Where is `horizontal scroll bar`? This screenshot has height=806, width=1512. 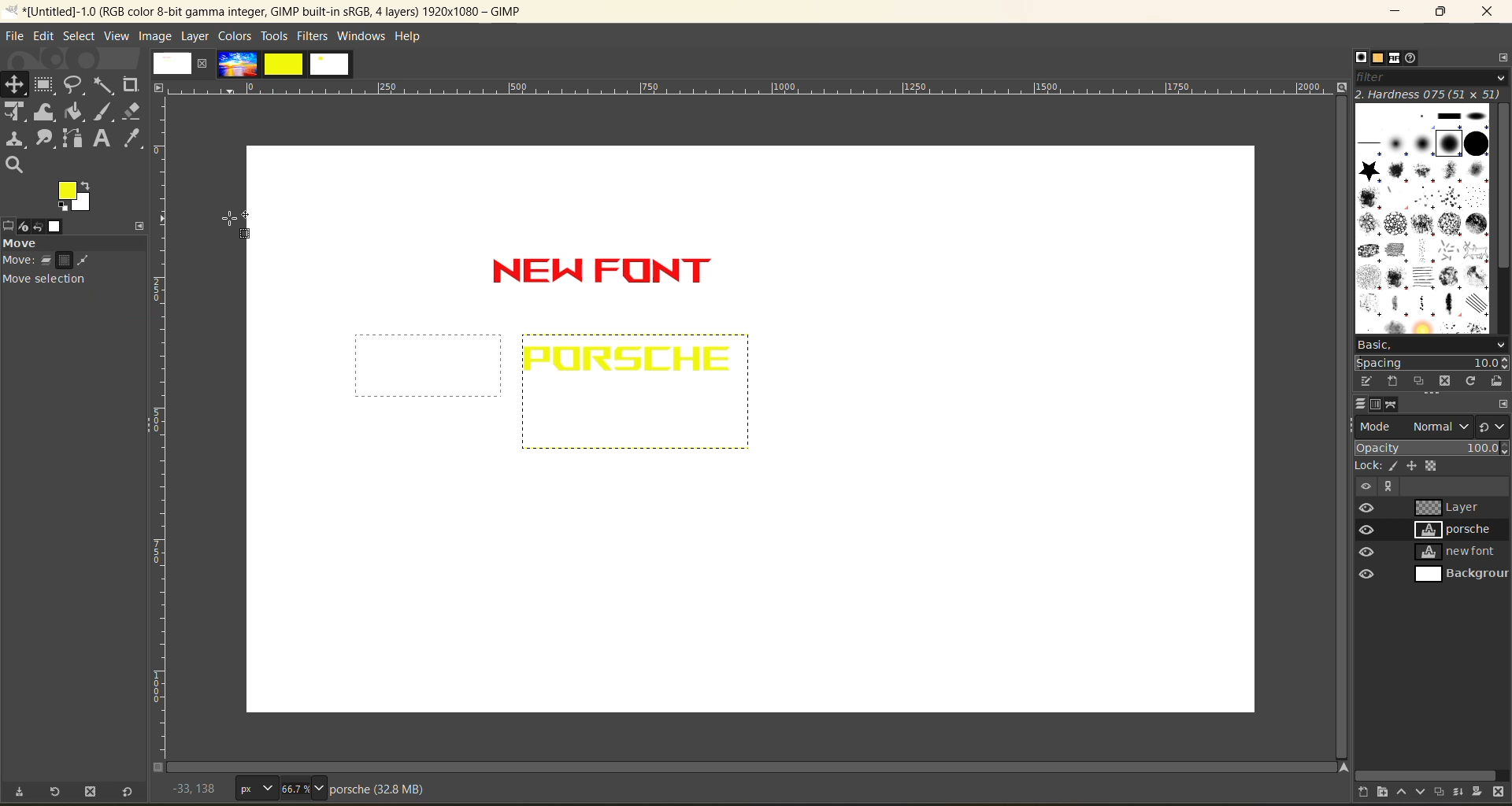 horizontal scroll bar is located at coordinates (1427, 772).